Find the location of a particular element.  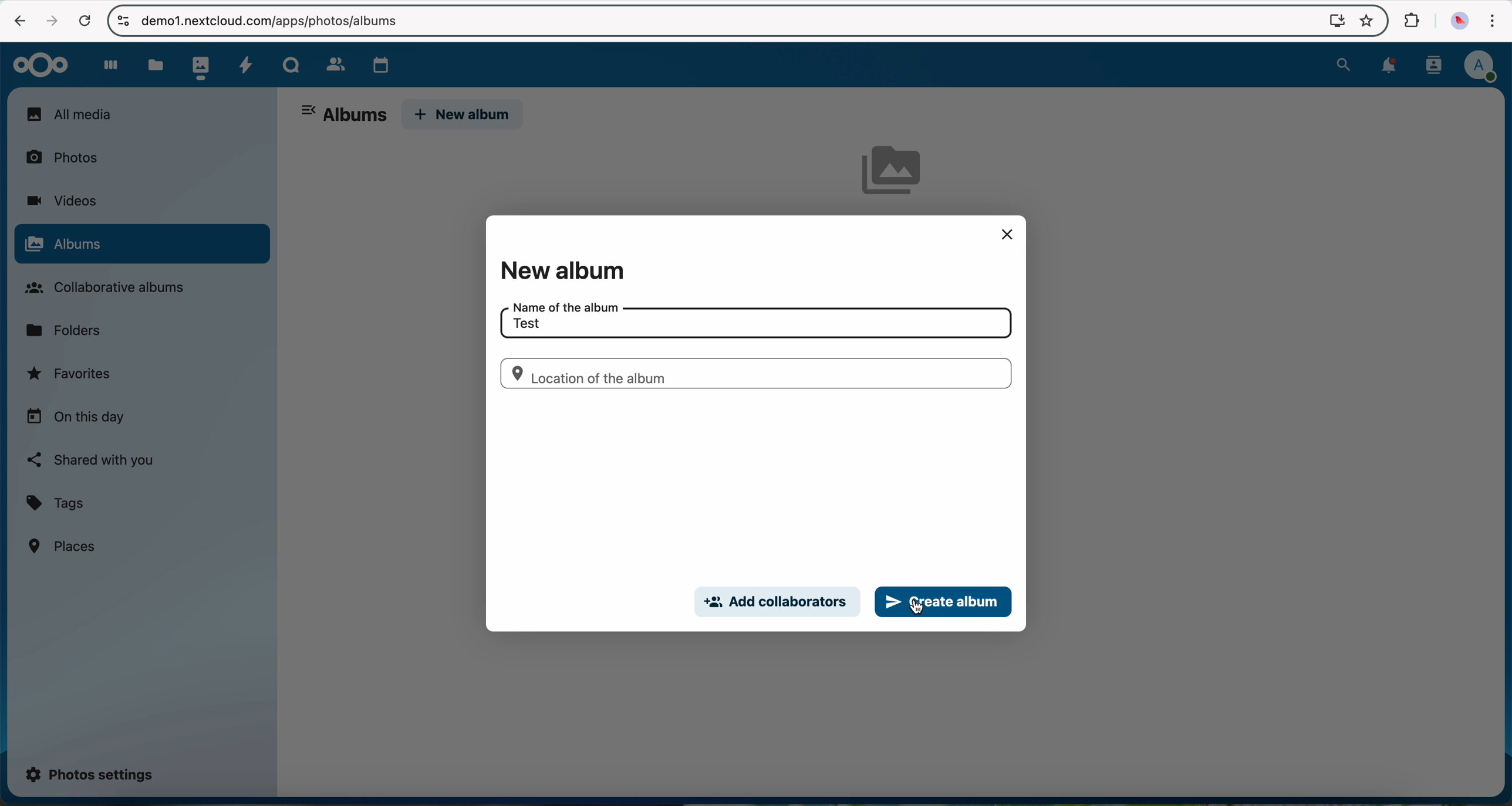

Nextcloud logo is located at coordinates (36, 64).